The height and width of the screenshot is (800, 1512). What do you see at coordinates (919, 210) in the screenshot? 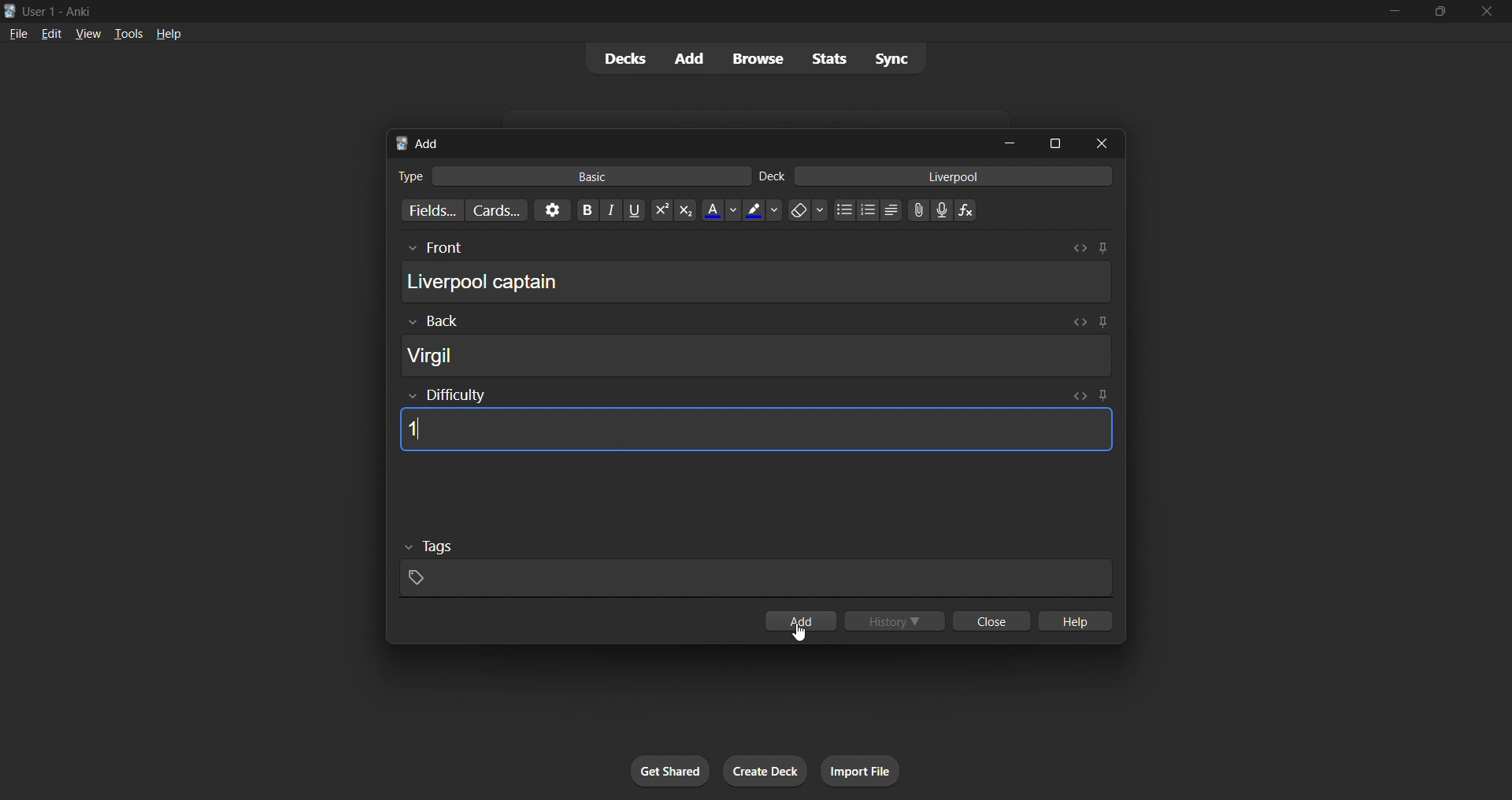
I see `Upload file` at bounding box center [919, 210].